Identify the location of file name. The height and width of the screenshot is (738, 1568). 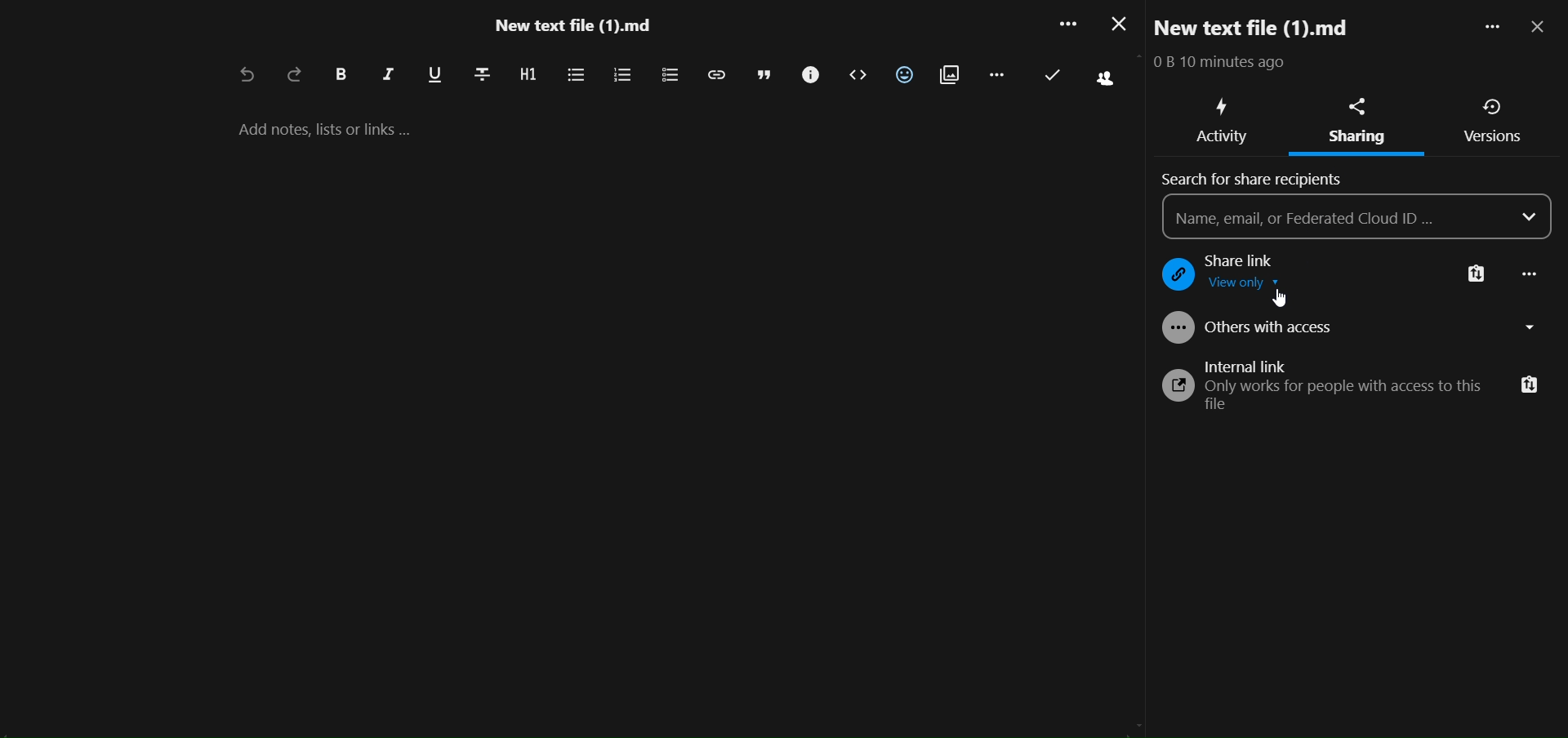
(572, 29).